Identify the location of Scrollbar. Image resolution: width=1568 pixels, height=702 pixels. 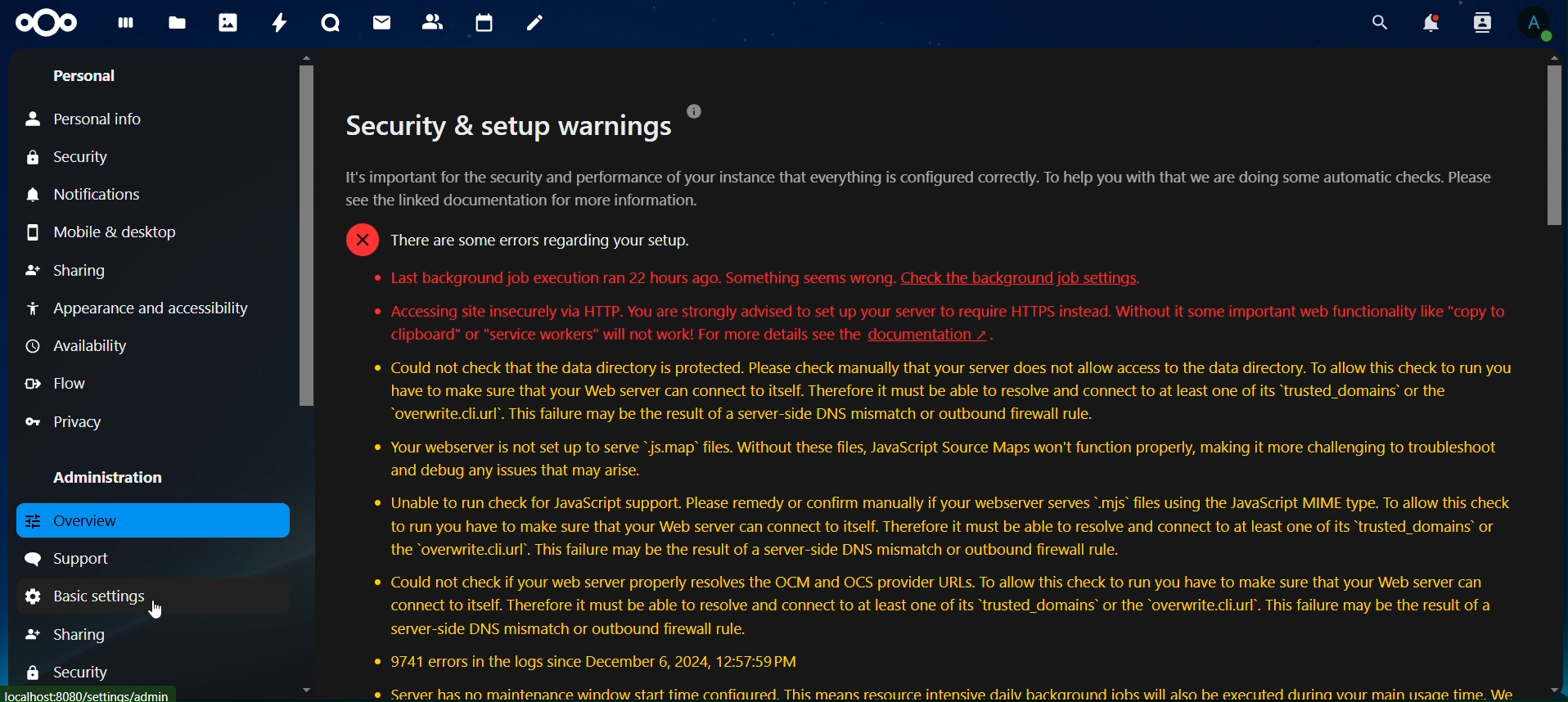
(304, 374).